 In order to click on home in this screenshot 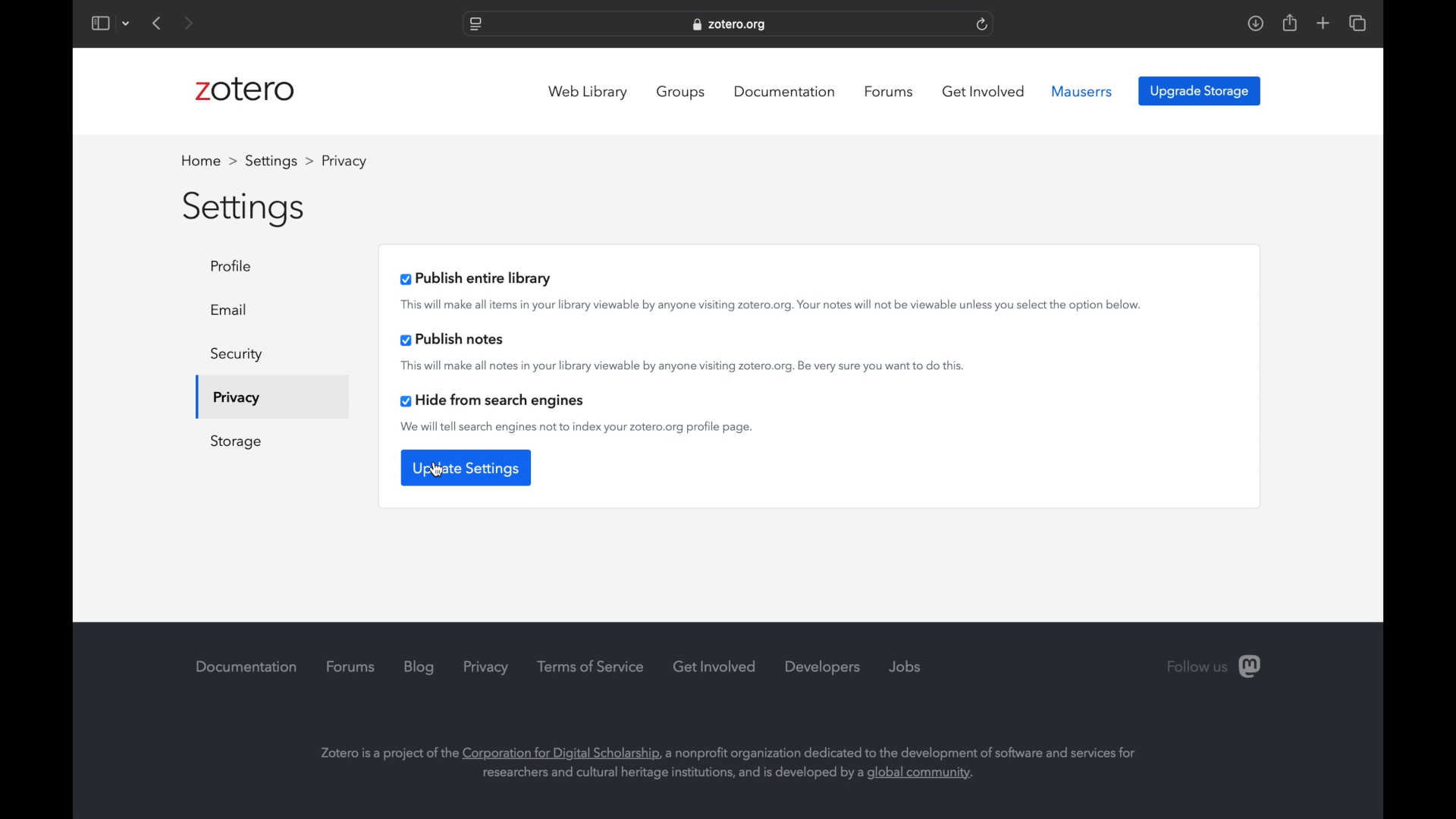, I will do `click(209, 161)`.